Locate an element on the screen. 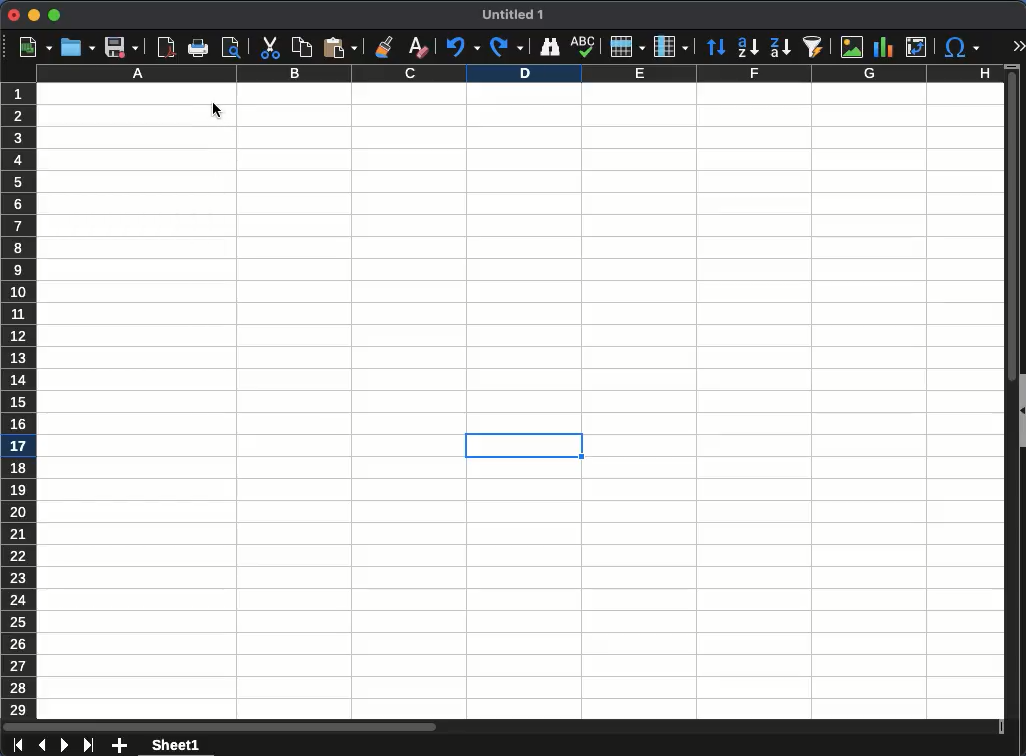 The width and height of the screenshot is (1026, 756). previous sheet is located at coordinates (41, 746).